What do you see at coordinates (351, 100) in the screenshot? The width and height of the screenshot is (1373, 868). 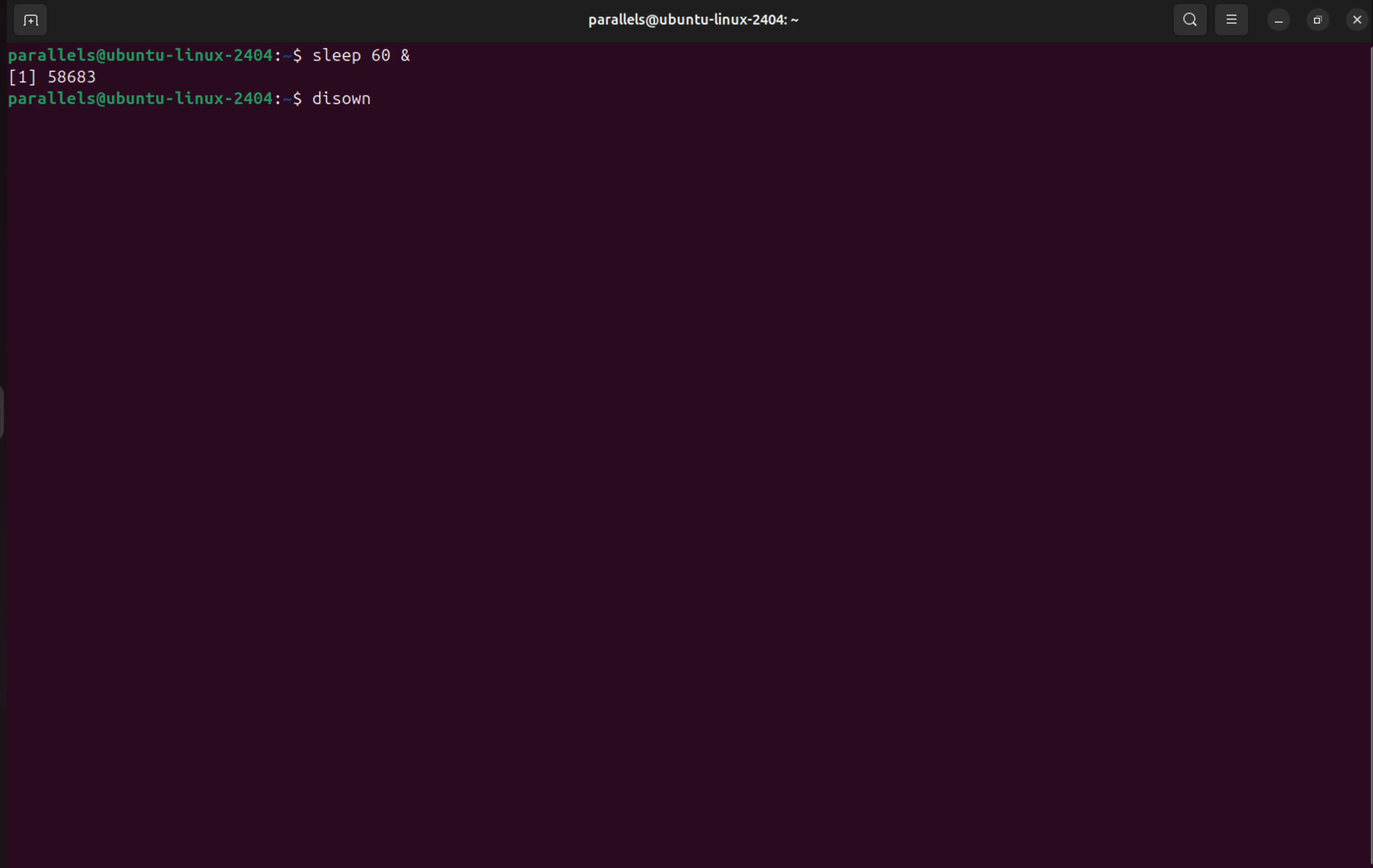 I see `disown` at bounding box center [351, 100].